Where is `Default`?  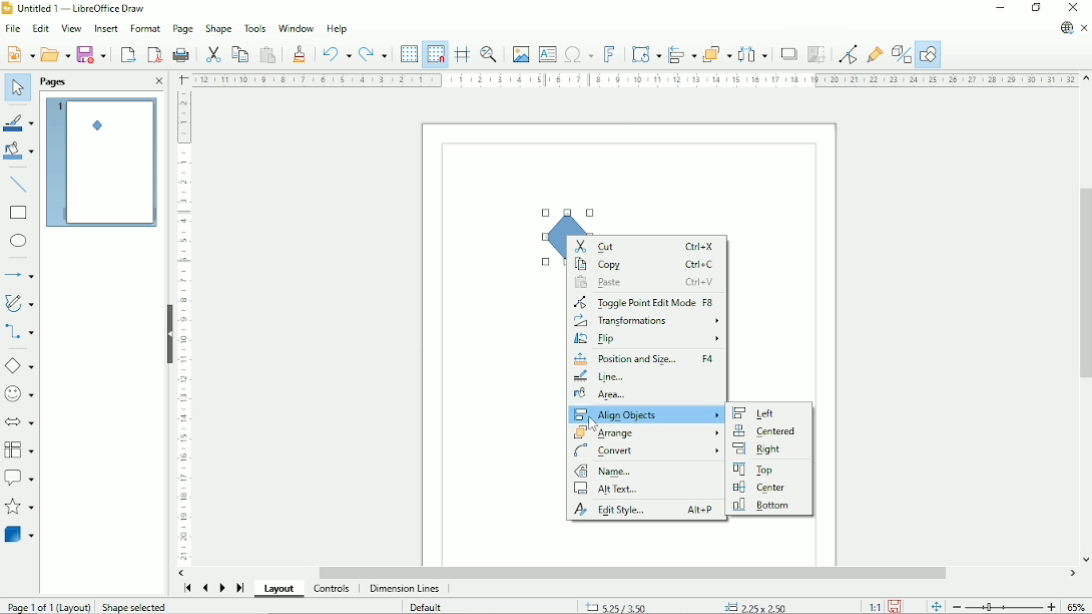
Default is located at coordinates (427, 607).